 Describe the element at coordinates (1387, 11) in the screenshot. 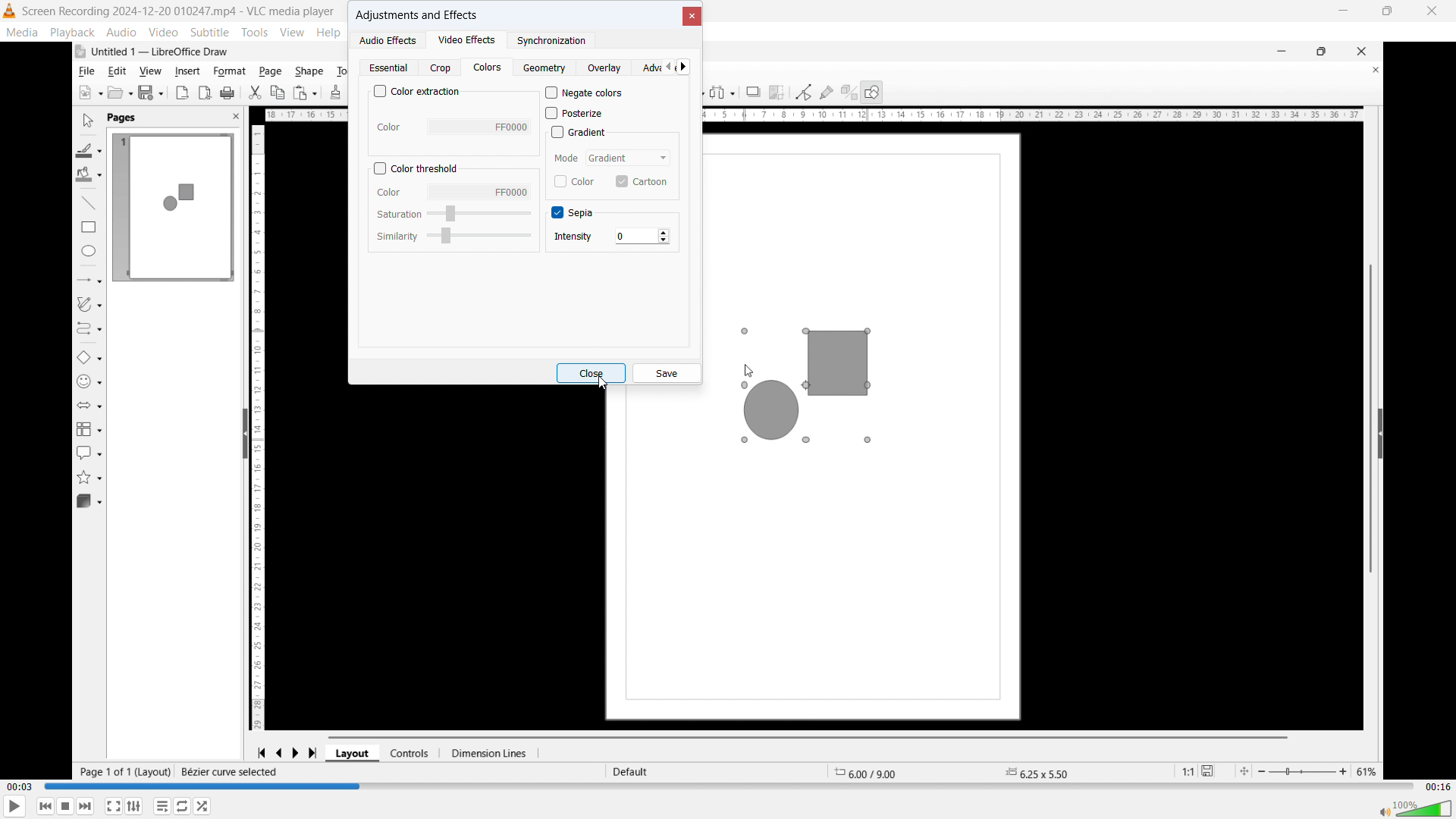

I see `Maximize ` at that location.